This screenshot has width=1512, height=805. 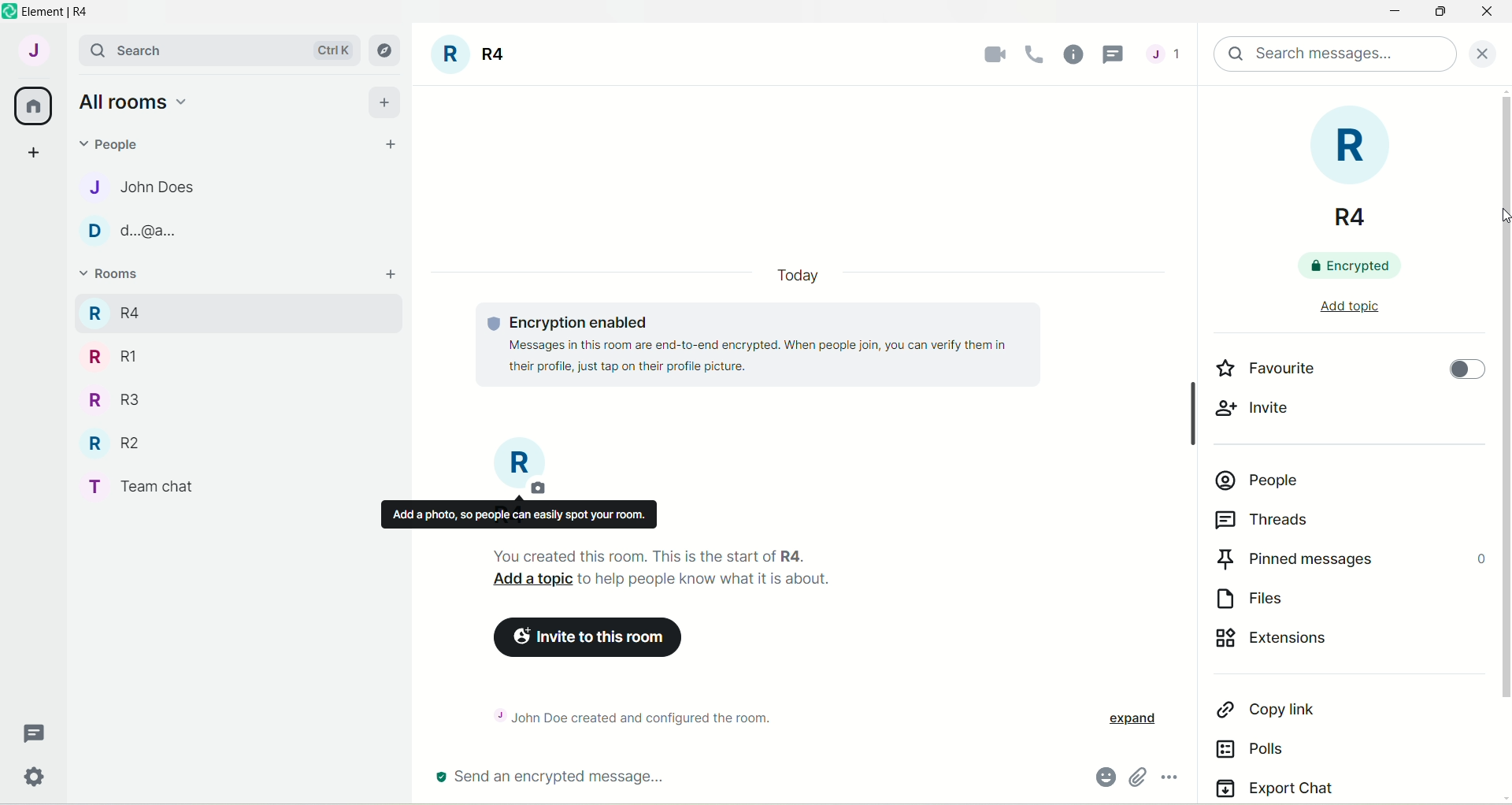 I want to click on © Encryption enabled
Messages in this room are end-to-end encrypted. When people join, you can verify them in their
profile, just tap on their profile picture., so click(x=770, y=344).